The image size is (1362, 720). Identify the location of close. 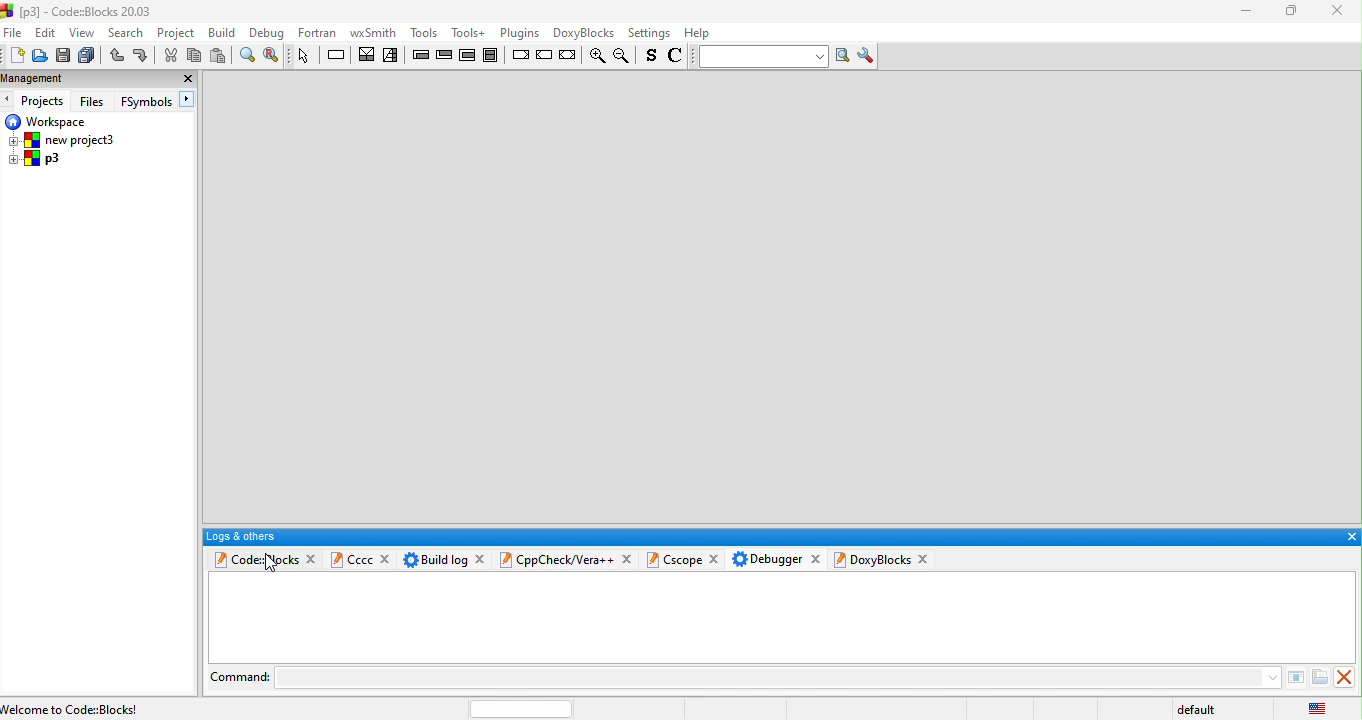
(1336, 10).